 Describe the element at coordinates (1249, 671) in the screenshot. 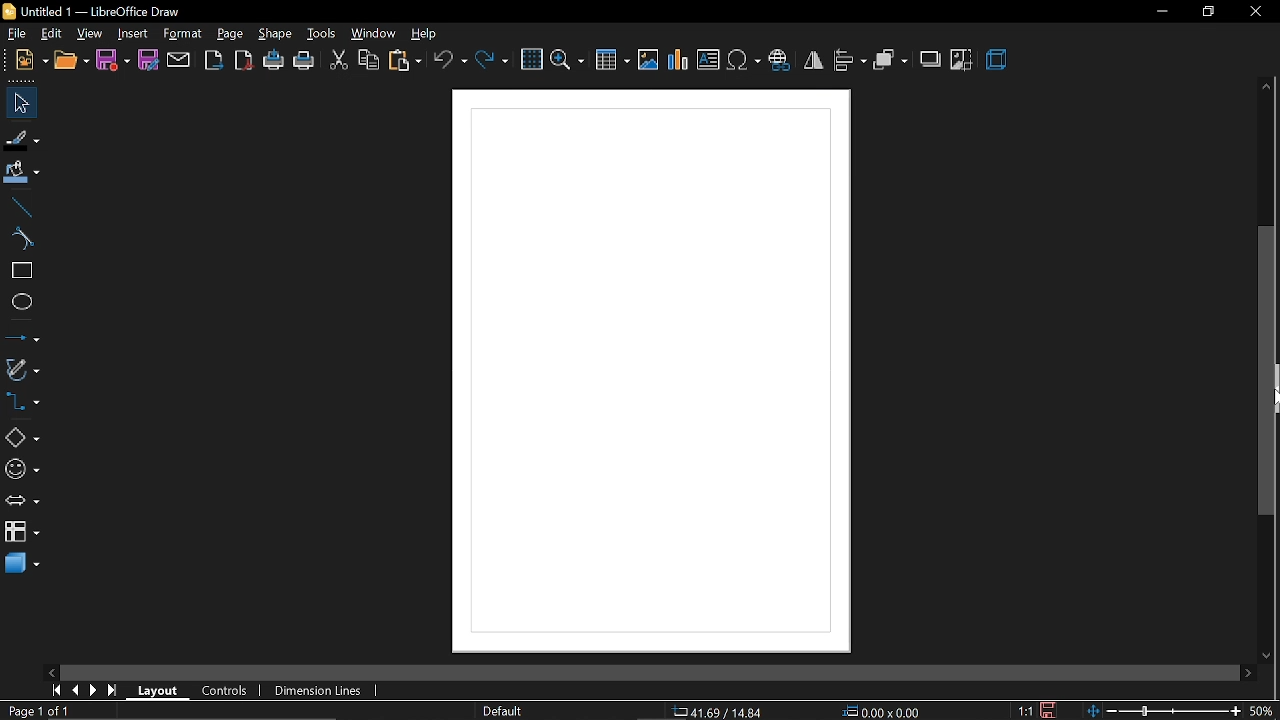

I see `move right` at that location.